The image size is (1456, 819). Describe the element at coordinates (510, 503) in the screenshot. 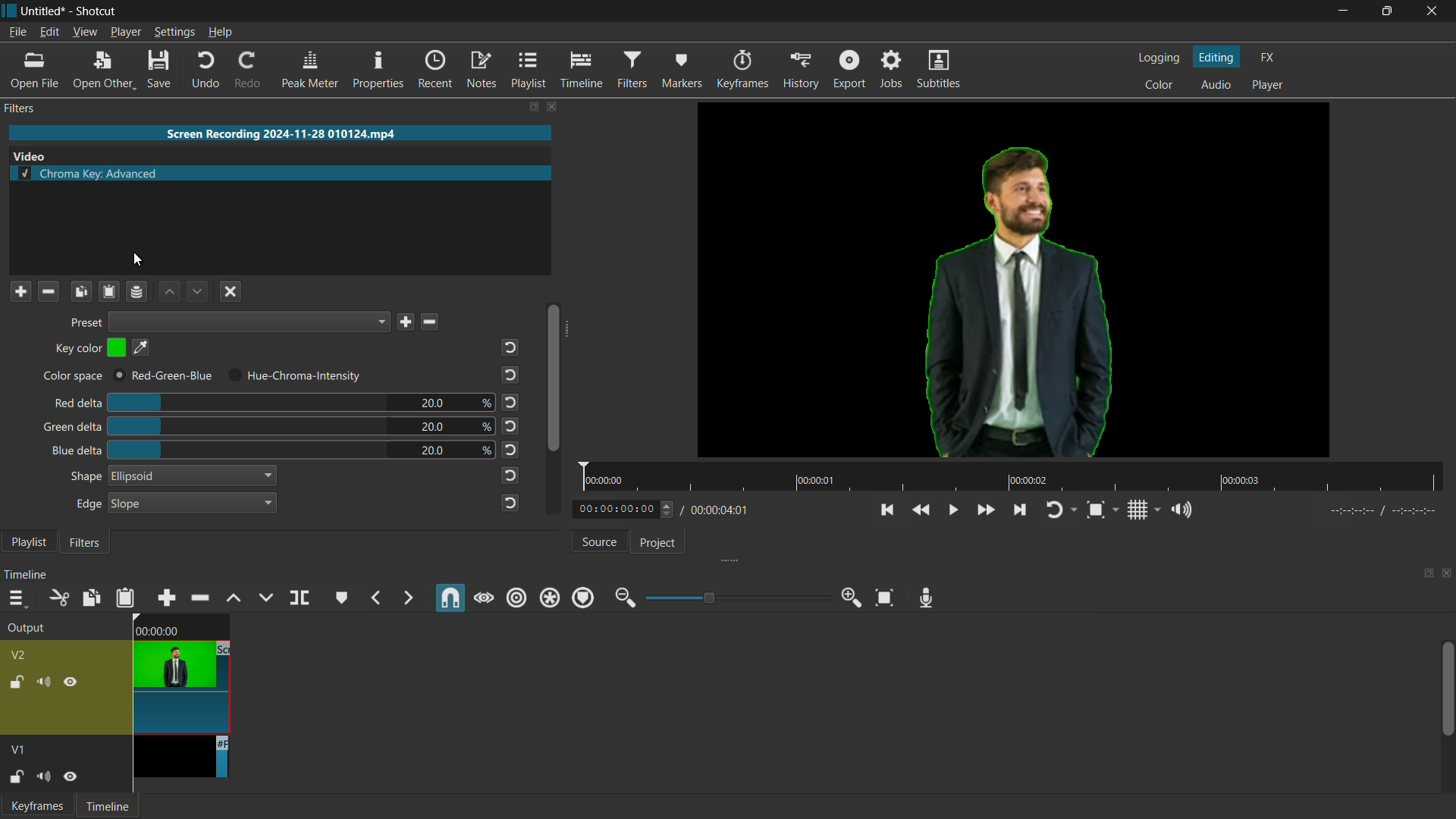

I see `reset to default` at that location.